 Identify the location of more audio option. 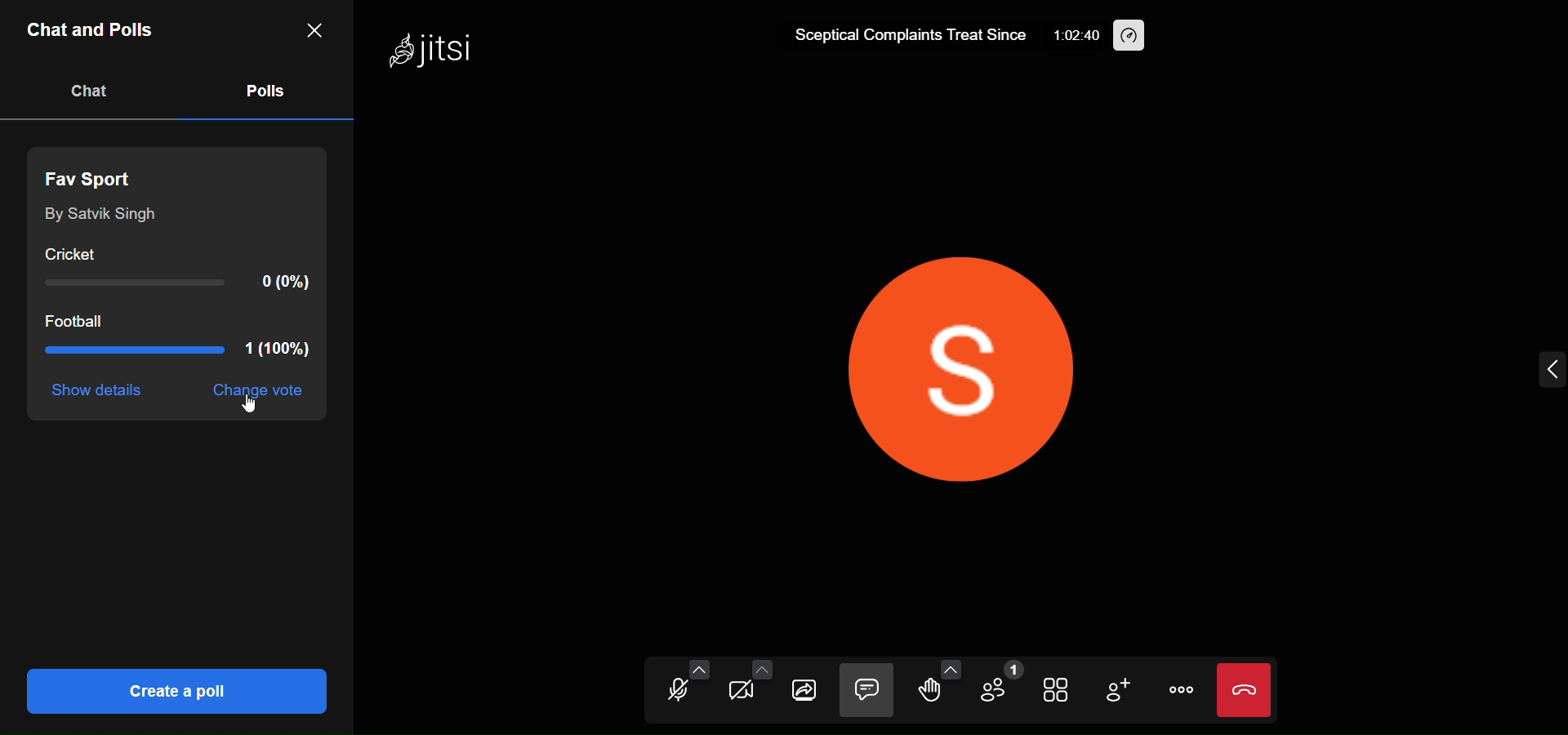
(699, 669).